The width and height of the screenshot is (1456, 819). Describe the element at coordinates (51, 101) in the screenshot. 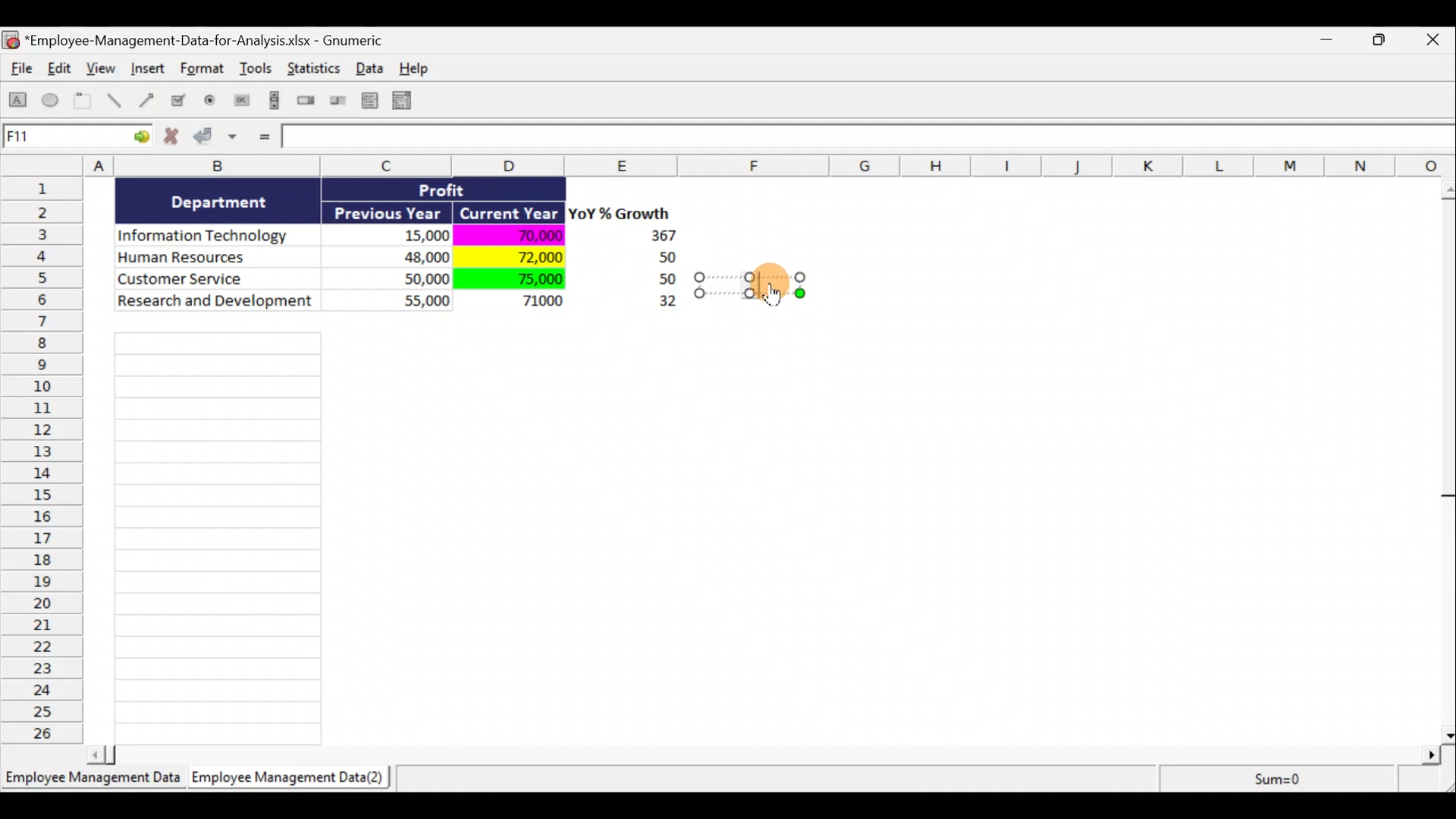

I see `Create an ellipse object` at that location.